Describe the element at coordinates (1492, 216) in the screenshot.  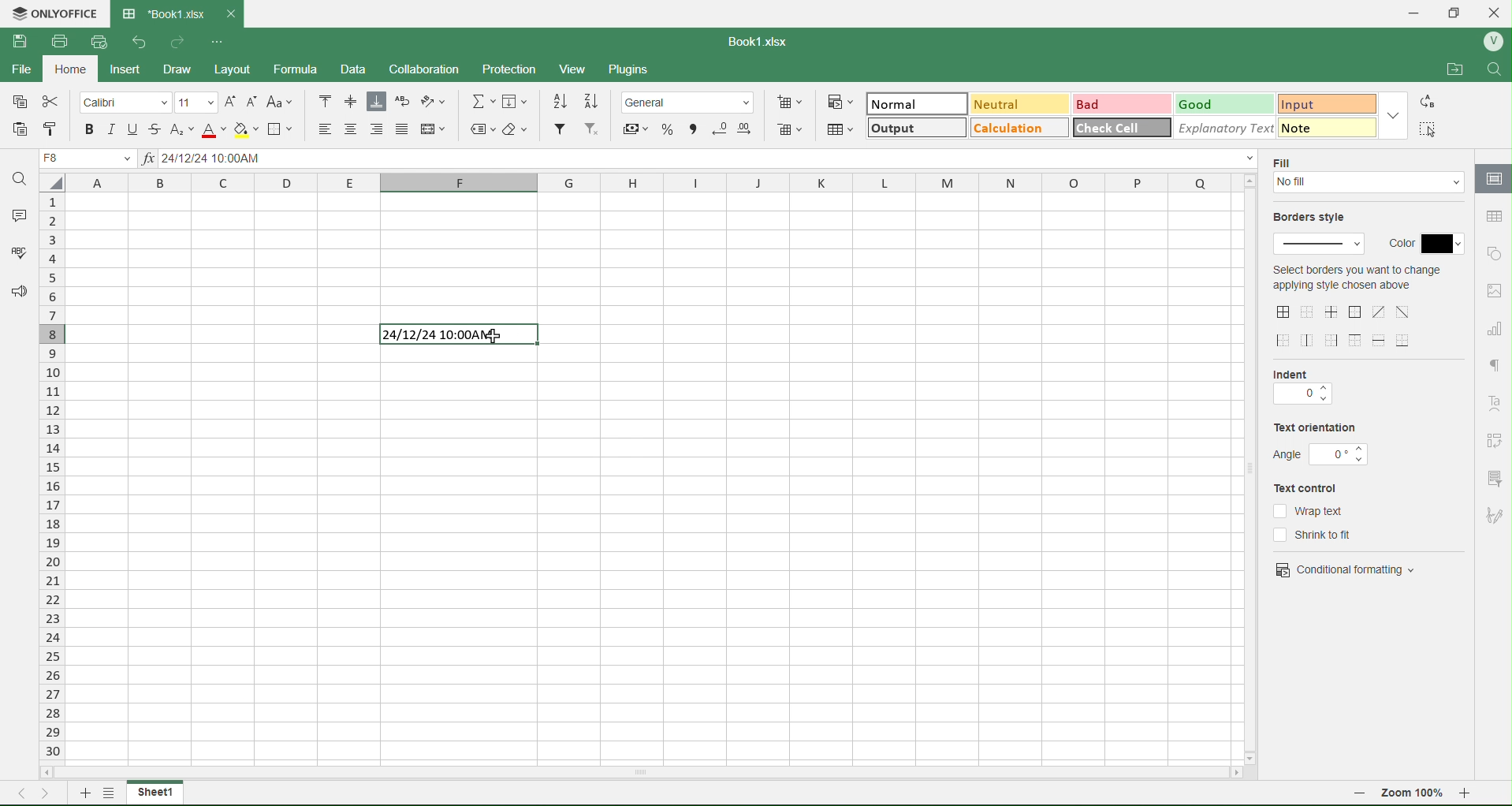
I see `table` at that location.